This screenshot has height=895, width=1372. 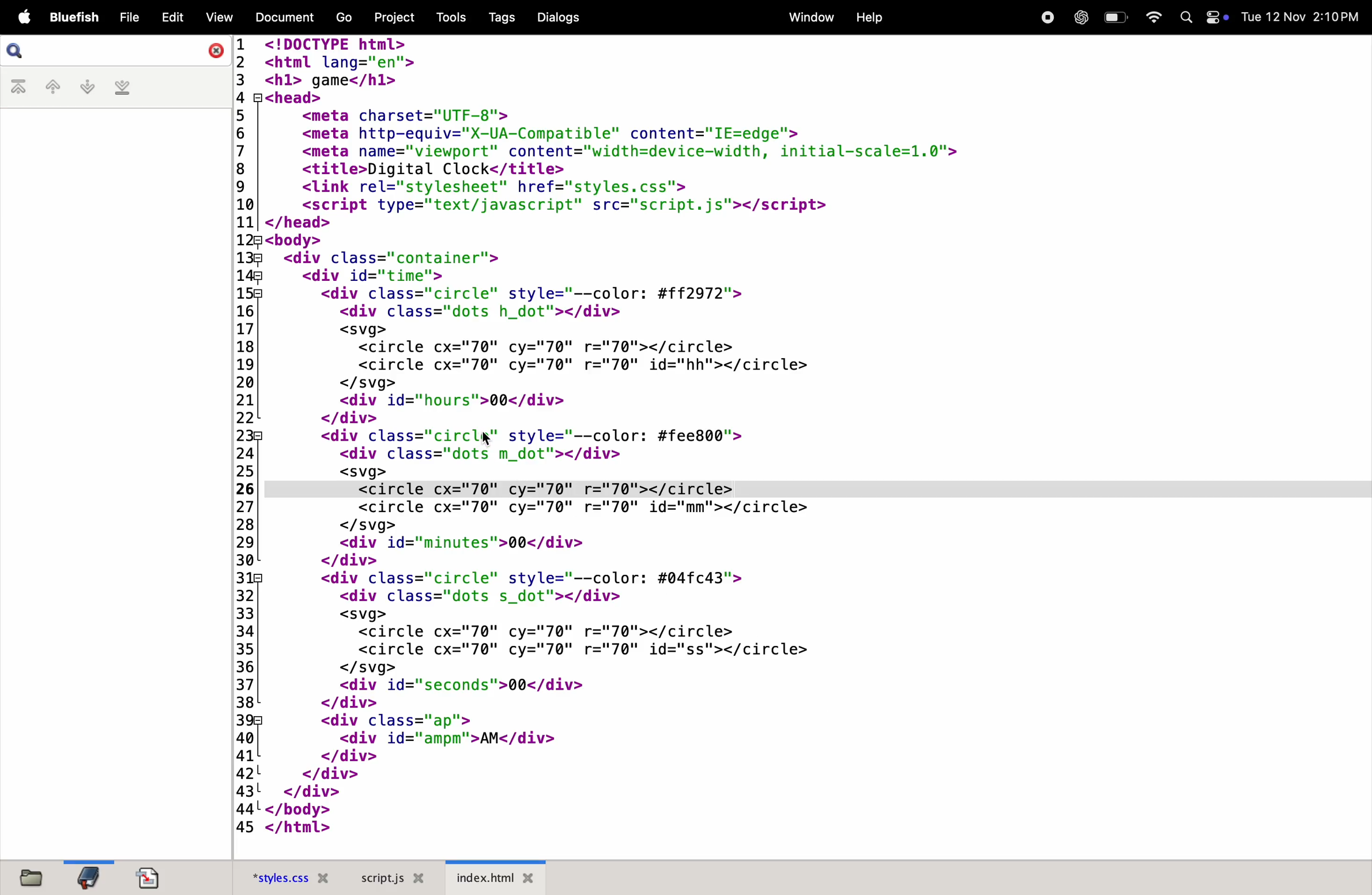 I want to click on Close, so click(x=209, y=54).